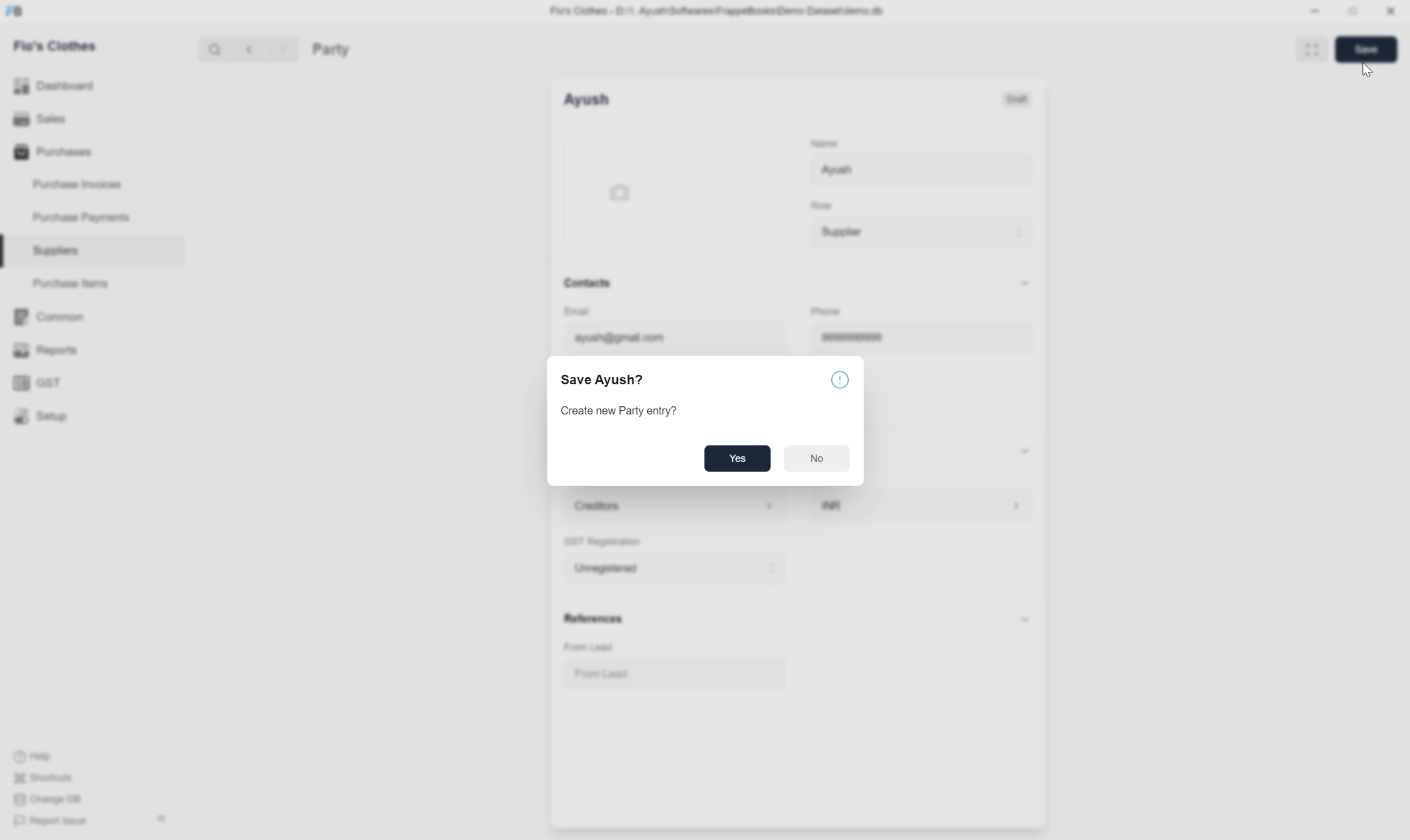 The height and width of the screenshot is (840, 1410). What do you see at coordinates (737, 458) in the screenshot?
I see `Yes` at bounding box center [737, 458].